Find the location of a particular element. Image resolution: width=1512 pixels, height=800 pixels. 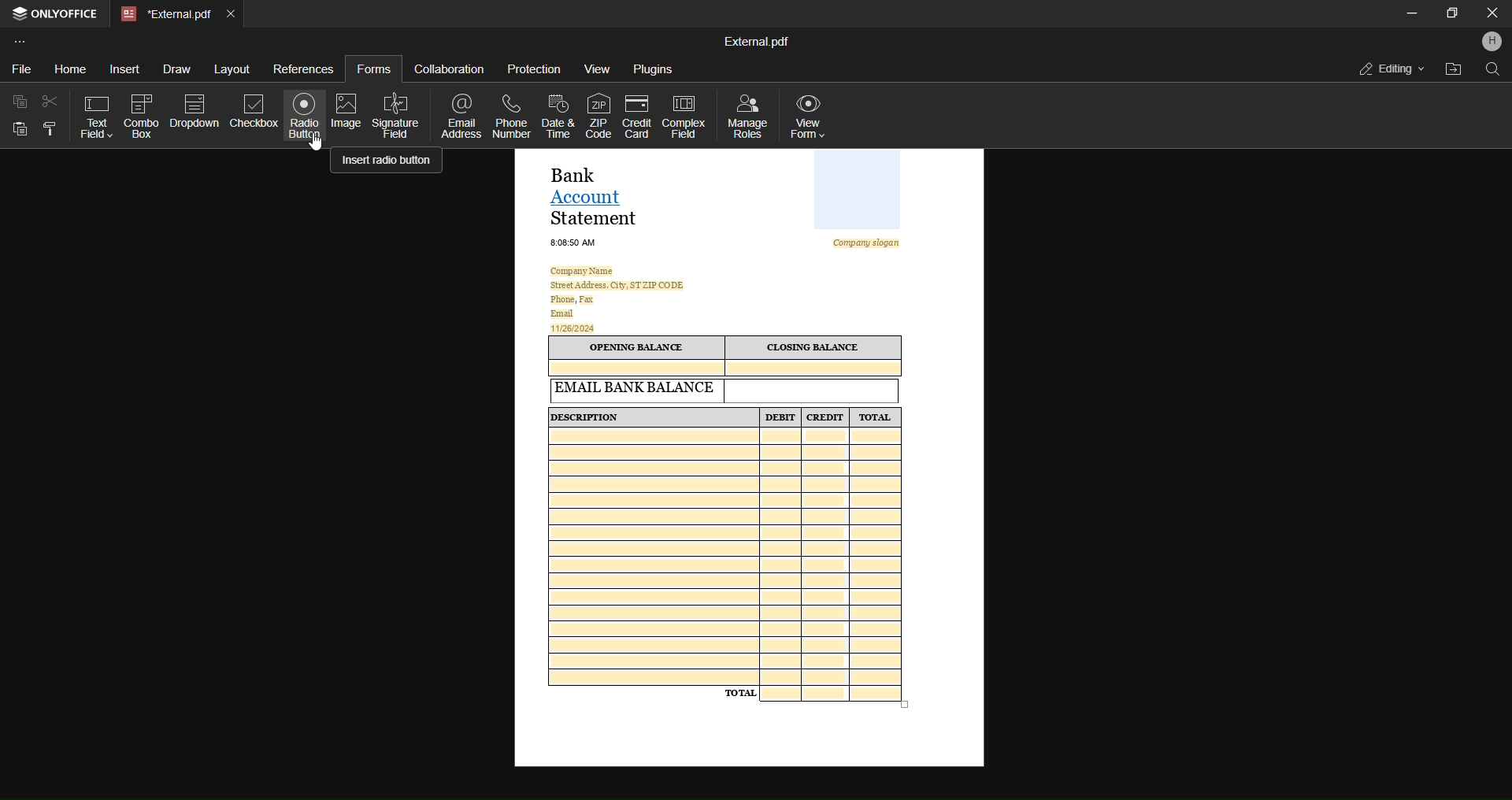

radio button is located at coordinates (305, 118).